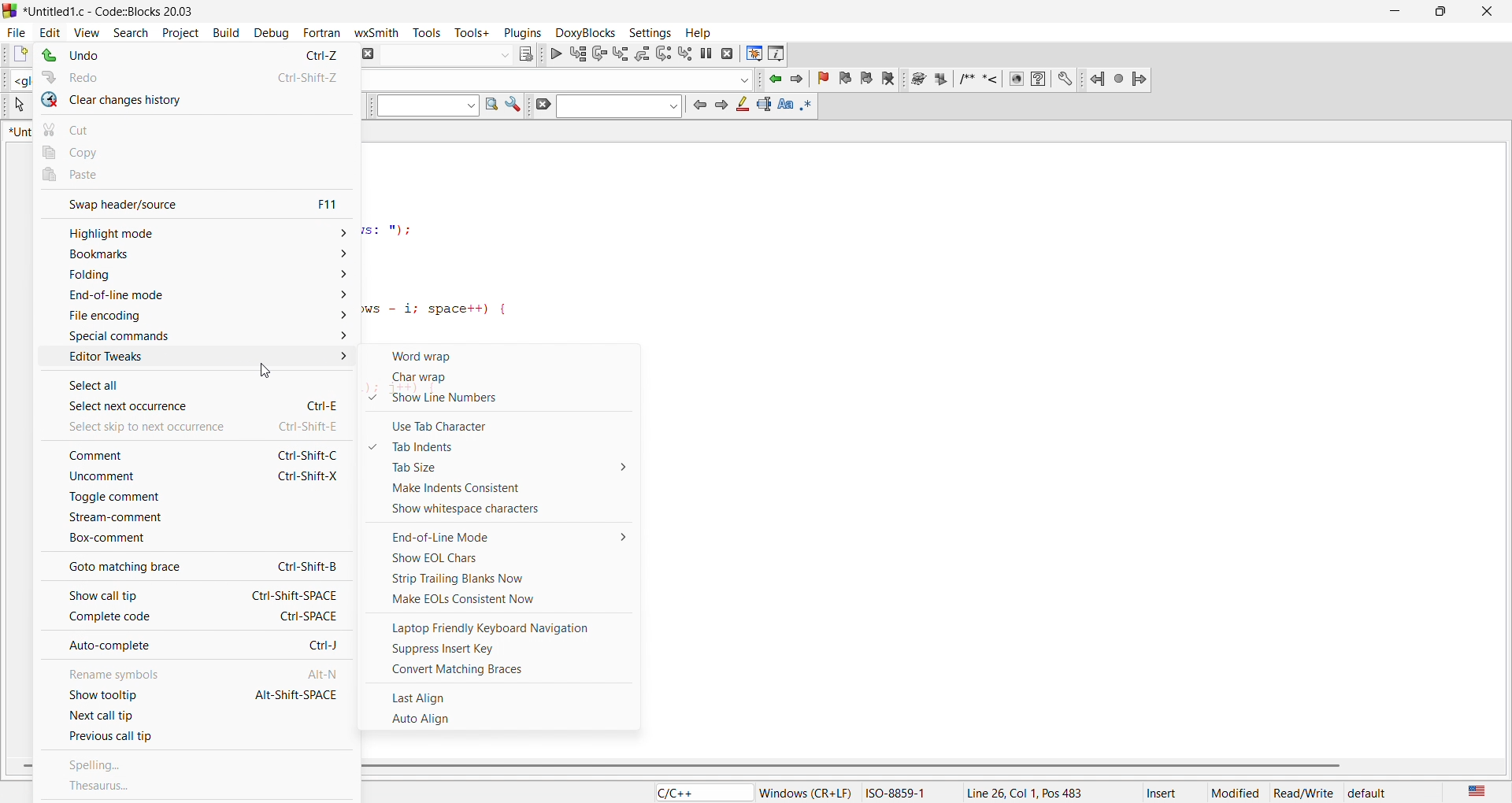 The image size is (1512, 803). Describe the element at coordinates (581, 30) in the screenshot. I see `doxyblocks` at that location.